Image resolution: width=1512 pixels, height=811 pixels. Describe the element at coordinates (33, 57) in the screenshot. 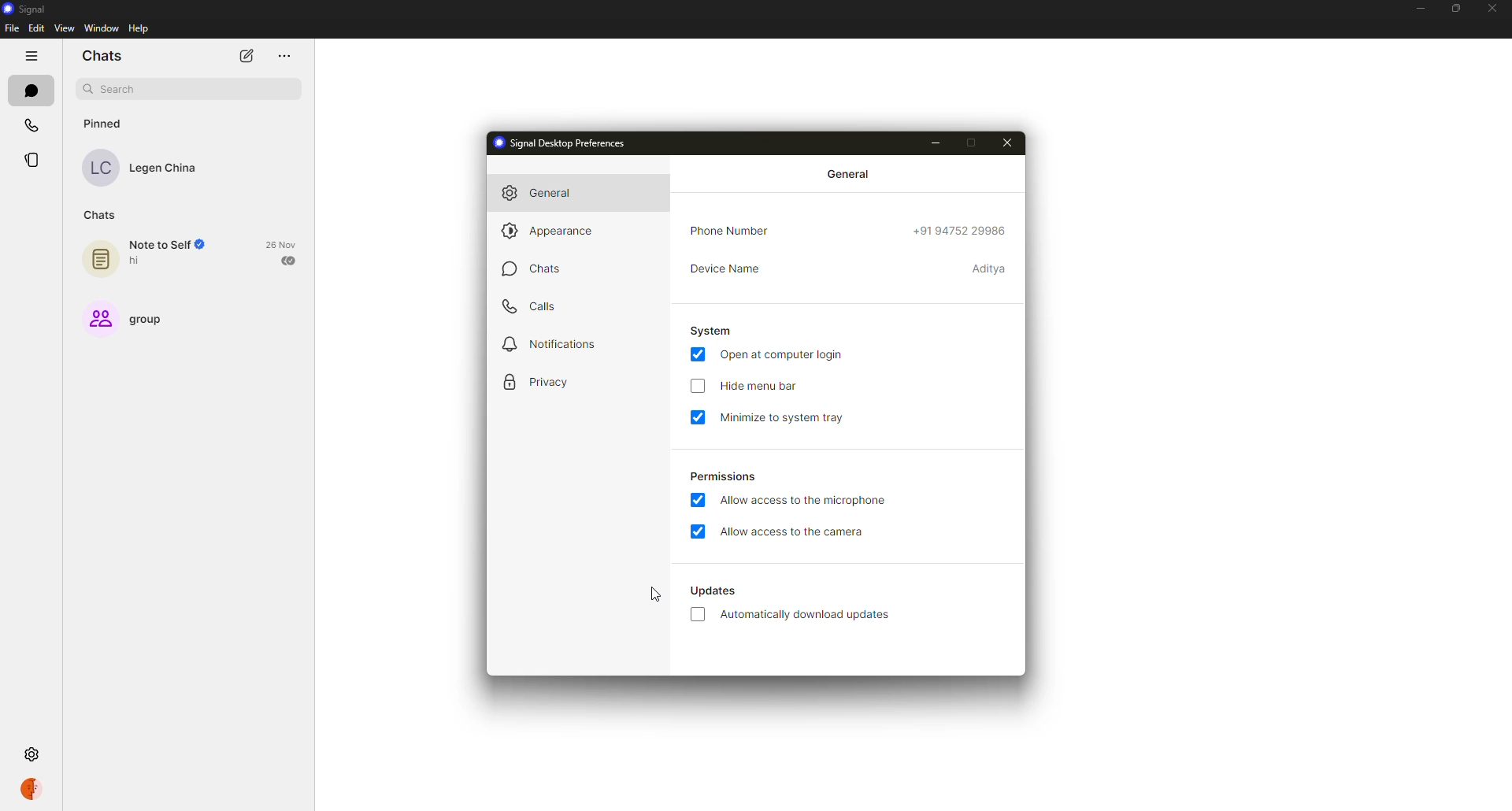

I see `hide tabs` at that location.